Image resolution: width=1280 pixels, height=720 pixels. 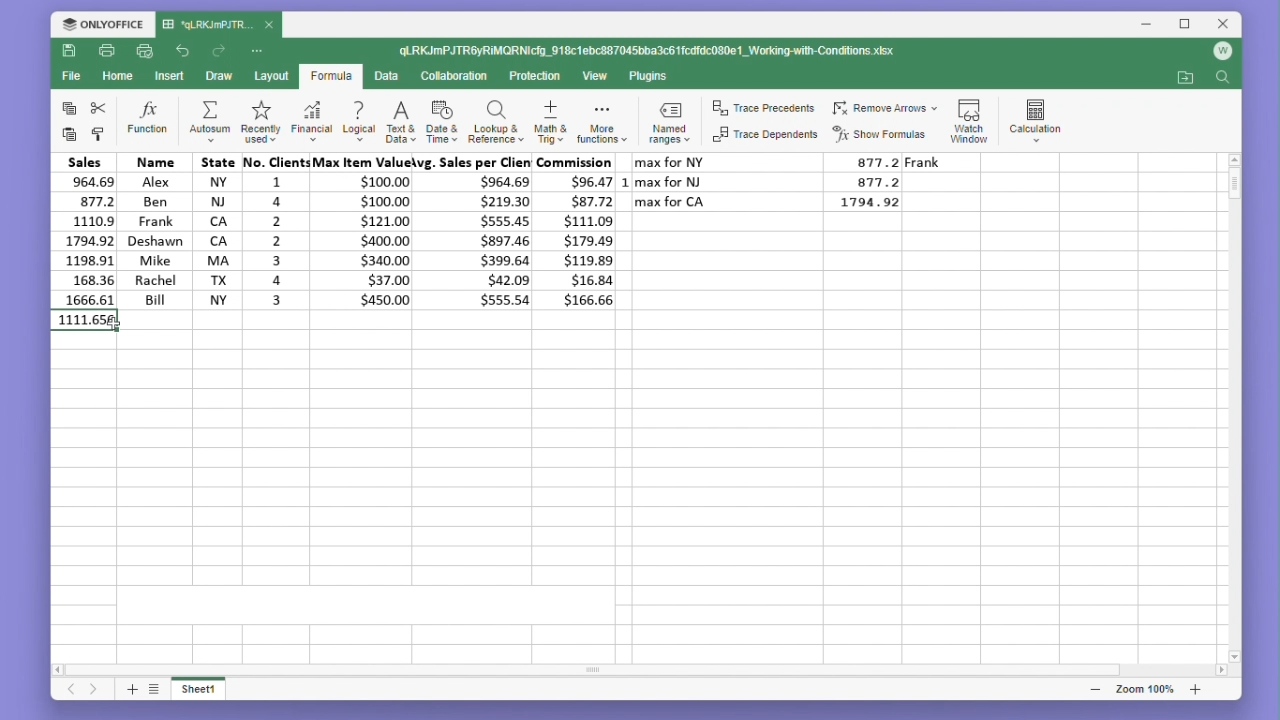 What do you see at coordinates (770, 181) in the screenshot?
I see `max for NJ 877.2` at bounding box center [770, 181].